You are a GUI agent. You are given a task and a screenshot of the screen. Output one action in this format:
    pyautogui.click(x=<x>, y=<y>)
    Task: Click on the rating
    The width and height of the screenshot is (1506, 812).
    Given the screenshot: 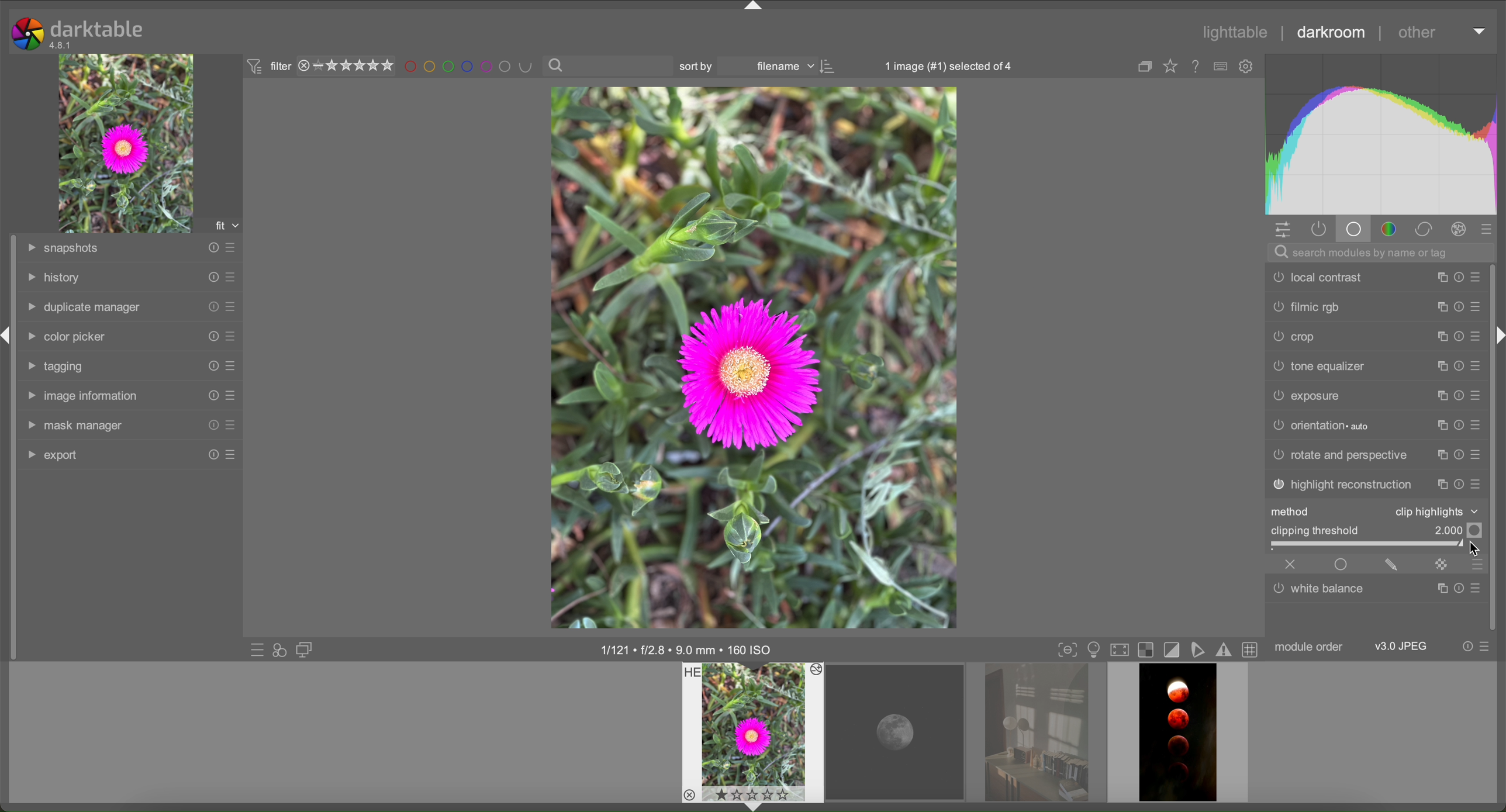 What is the action you would take?
    pyautogui.click(x=346, y=67)
    